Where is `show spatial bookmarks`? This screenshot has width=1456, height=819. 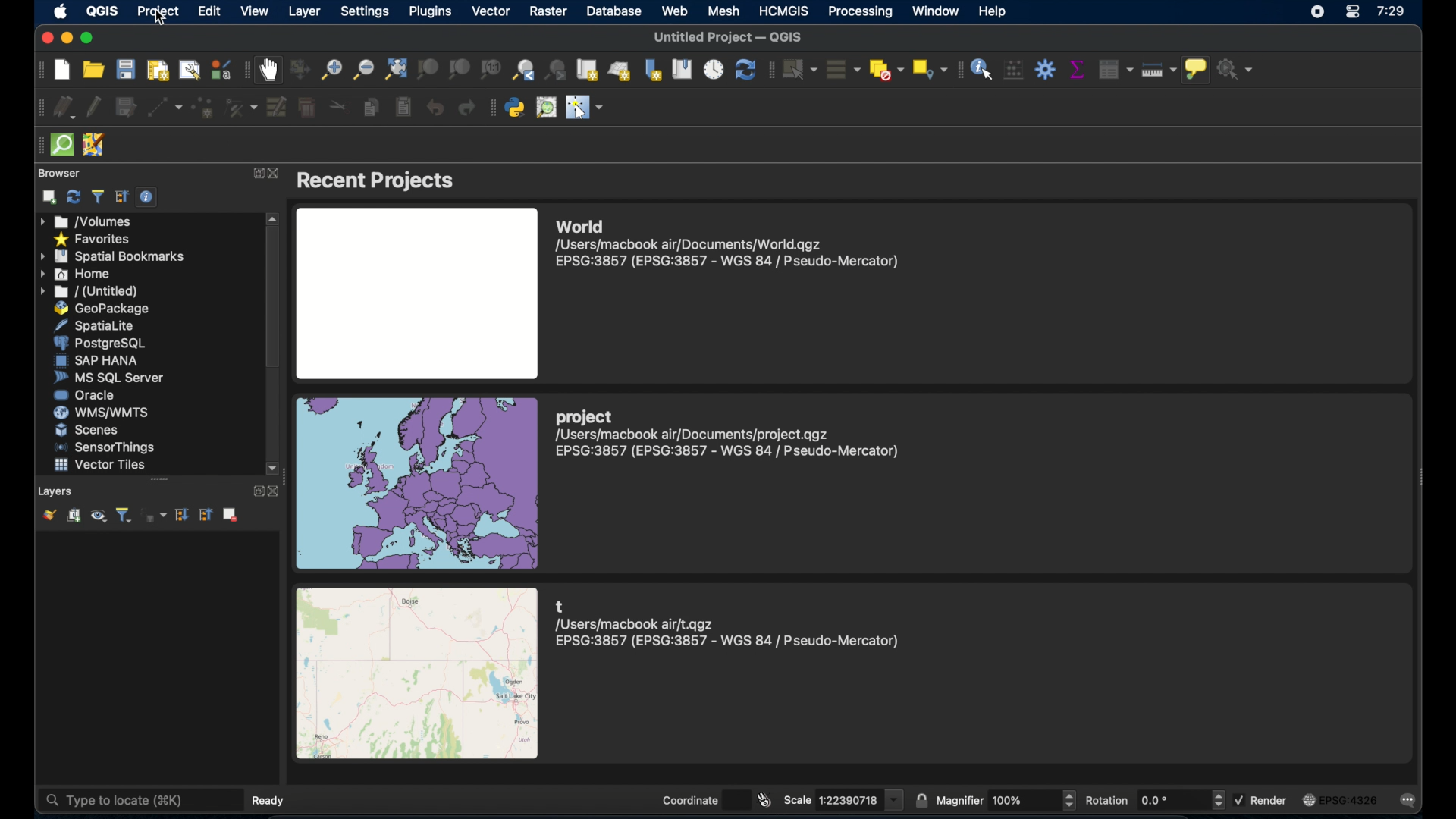
show spatial bookmarks is located at coordinates (682, 70).